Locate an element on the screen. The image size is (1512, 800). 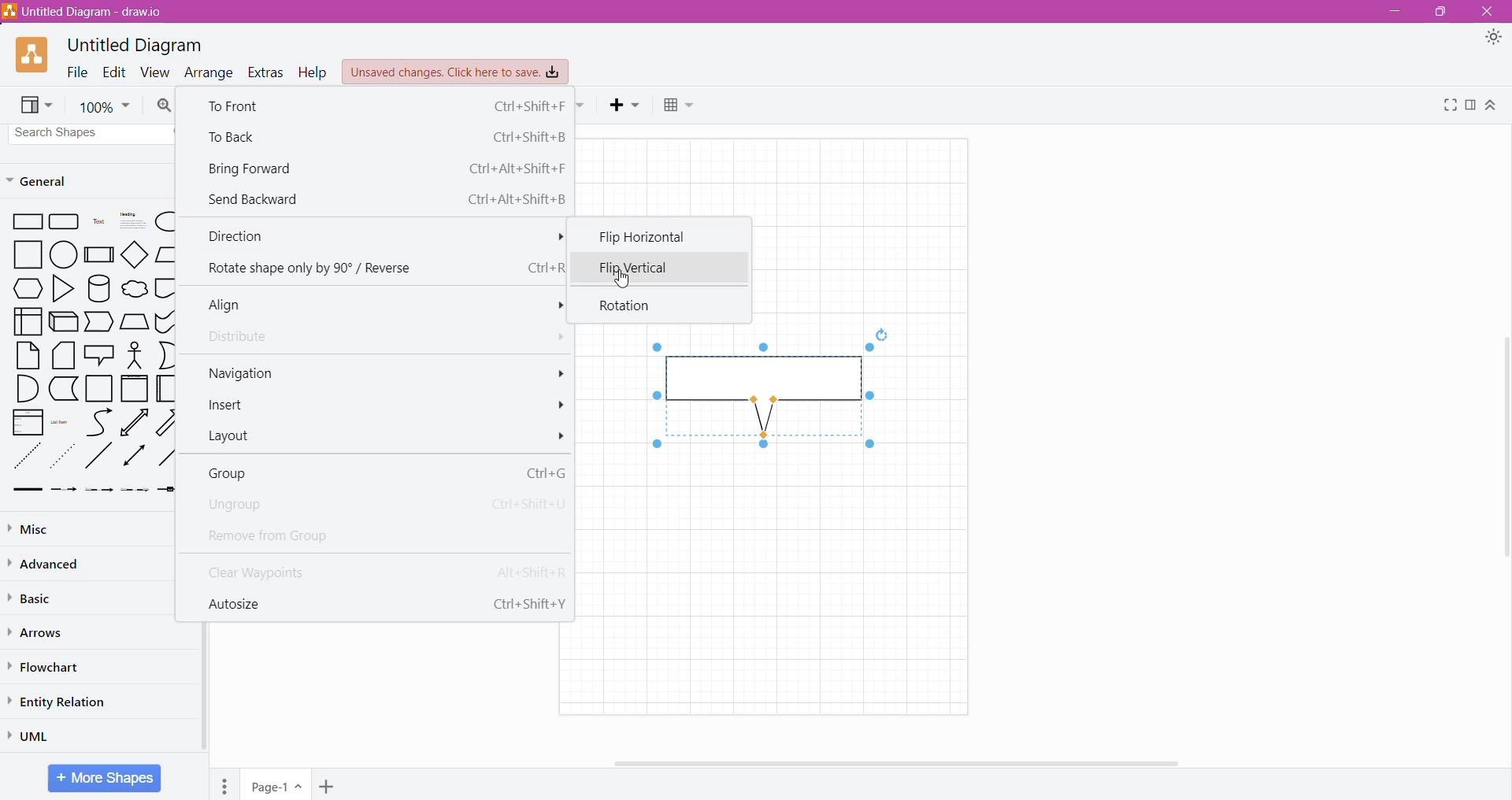
Minimize is located at coordinates (1392, 12).